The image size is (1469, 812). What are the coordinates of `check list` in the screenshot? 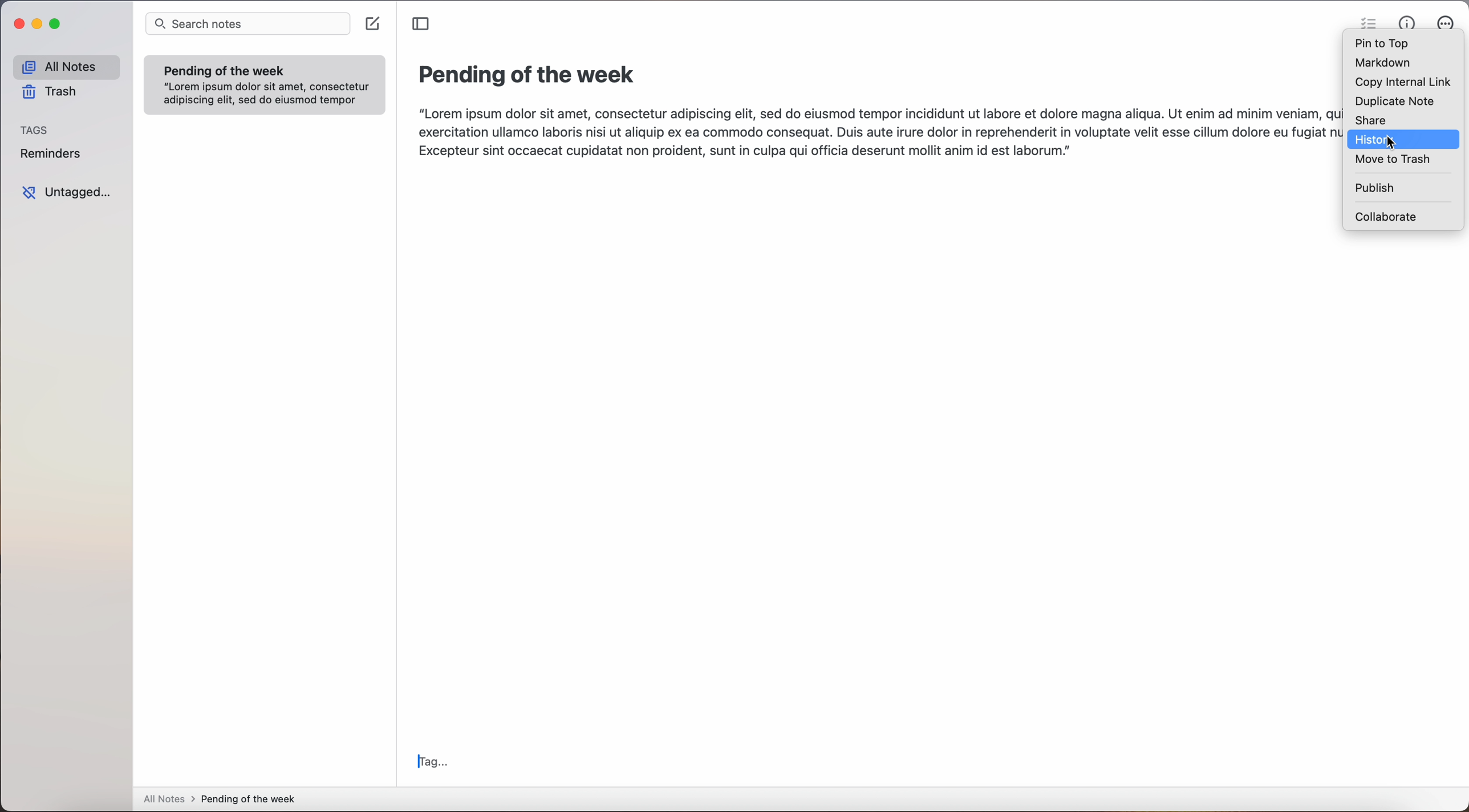 It's located at (1368, 22).